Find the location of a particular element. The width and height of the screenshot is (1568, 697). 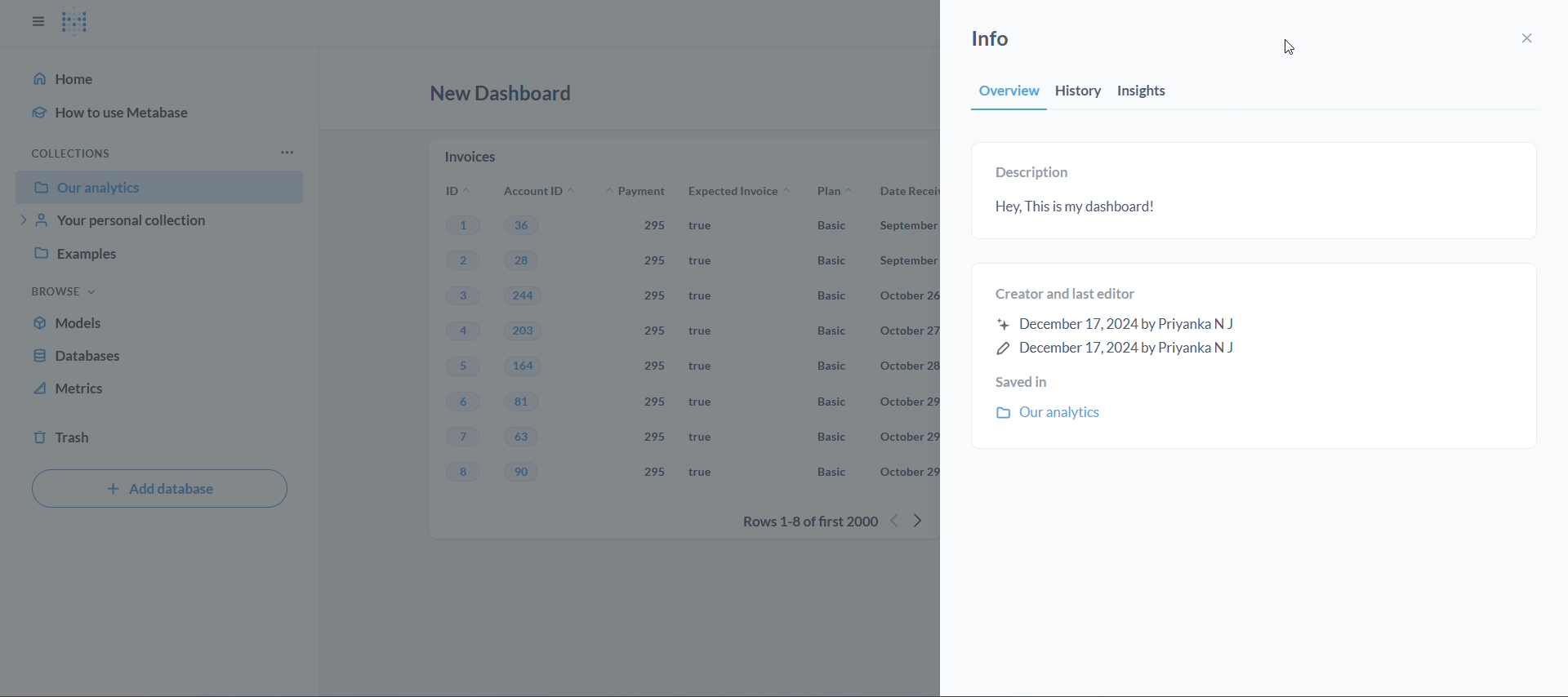

october 29 is located at coordinates (907, 473).